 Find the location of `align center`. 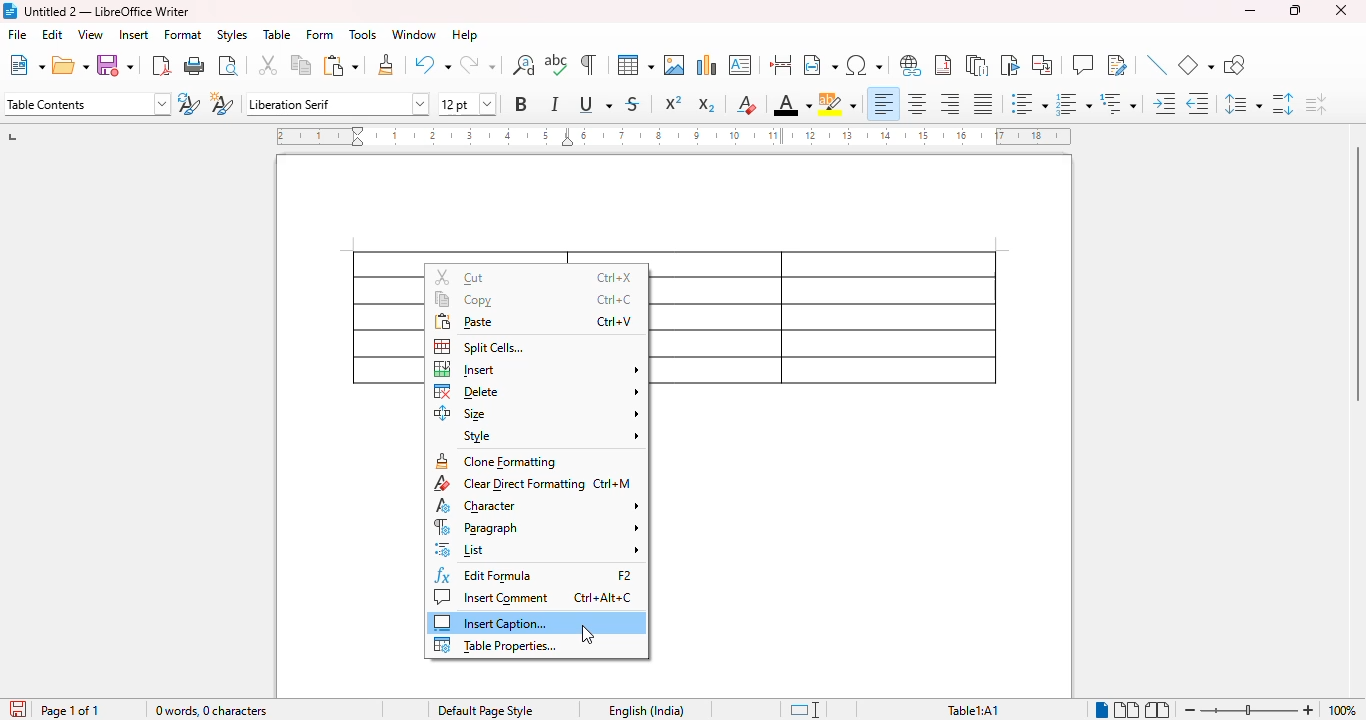

align center is located at coordinates (917, 104).